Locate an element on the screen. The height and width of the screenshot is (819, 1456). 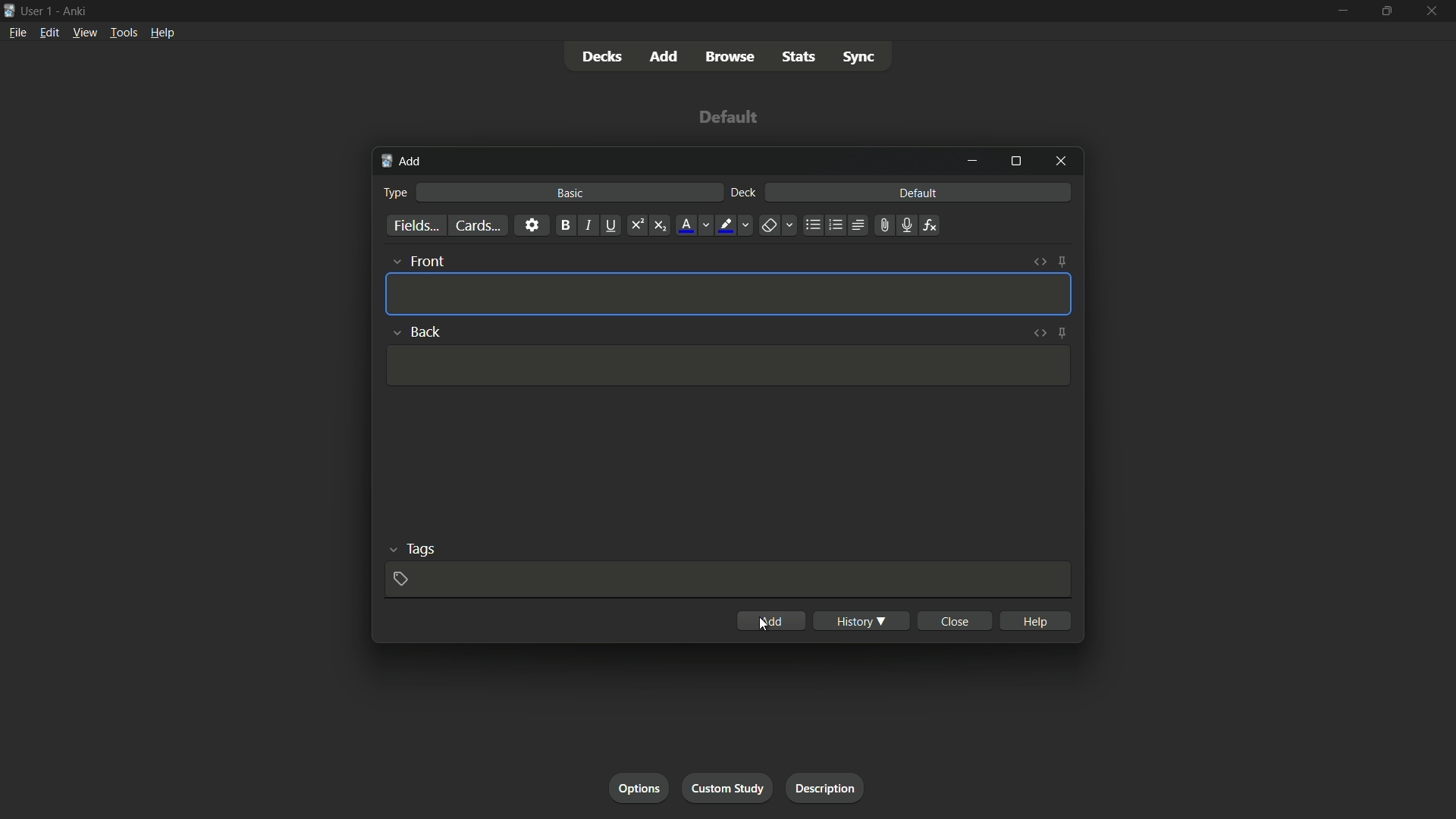
record audio is located at coordinates (908, 224).